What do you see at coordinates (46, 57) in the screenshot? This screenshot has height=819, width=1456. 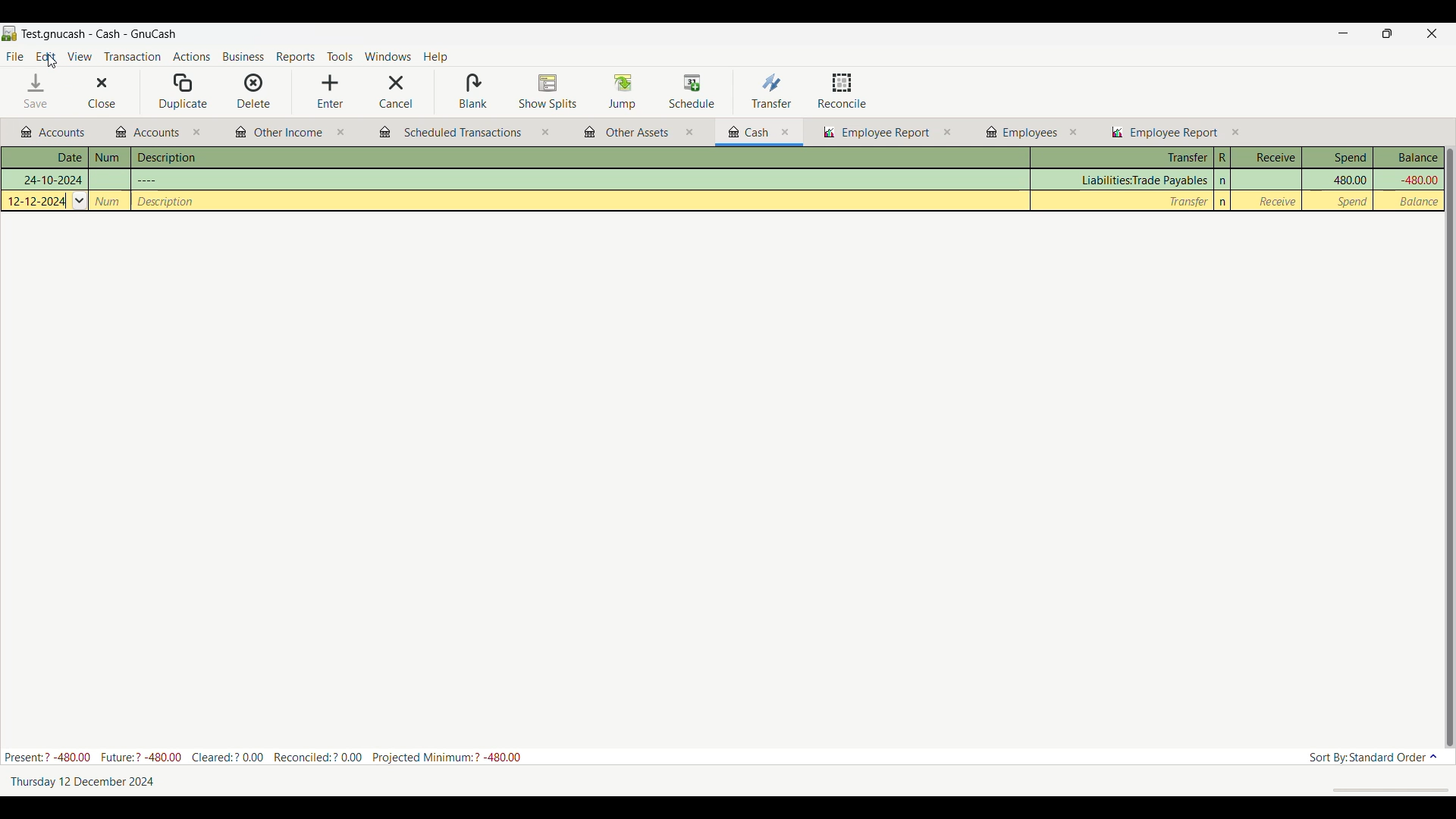 I see `Edit menu` at bounding box center [46, 57].